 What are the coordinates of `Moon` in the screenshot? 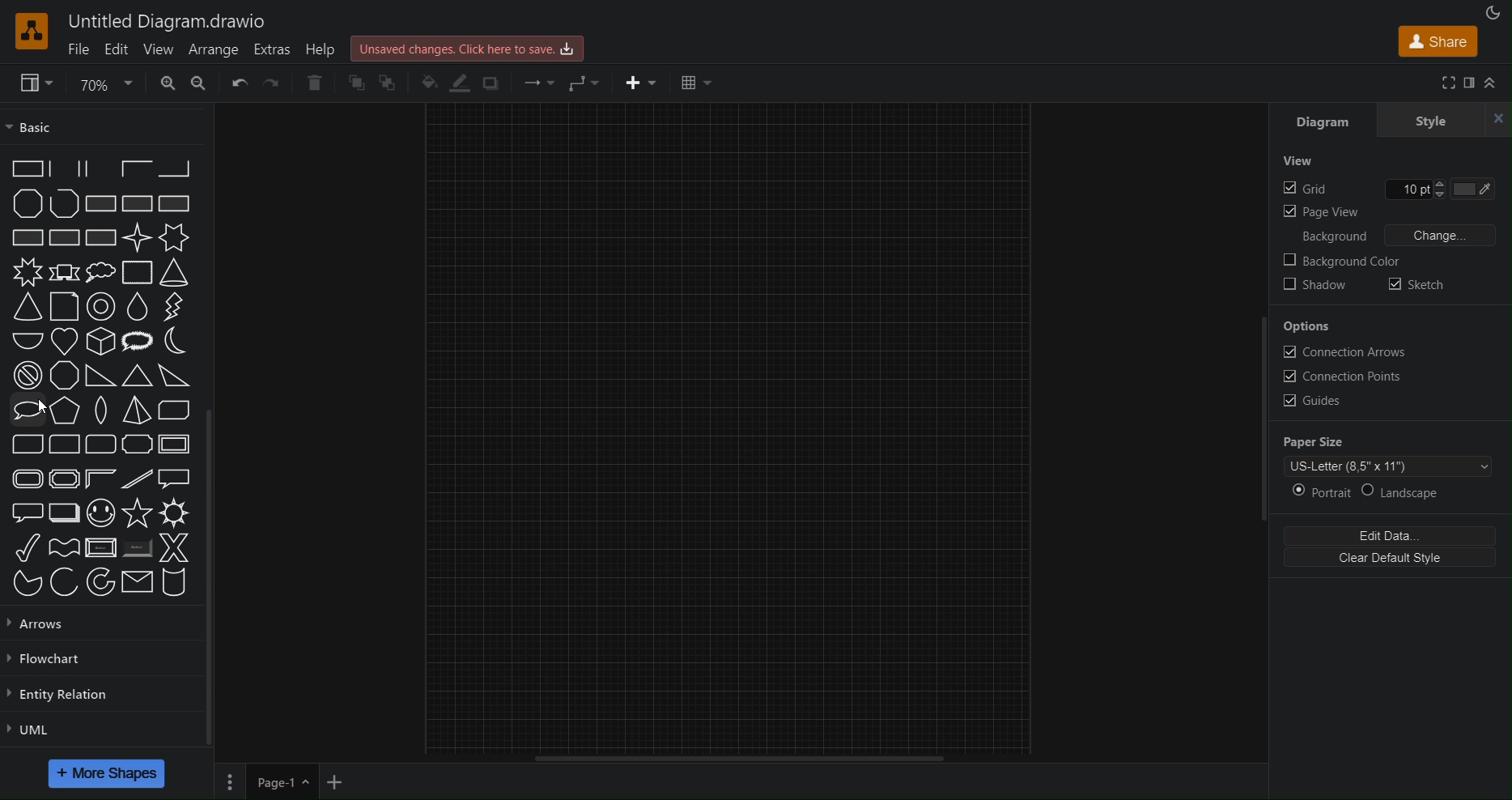 It's located at (174, 341).